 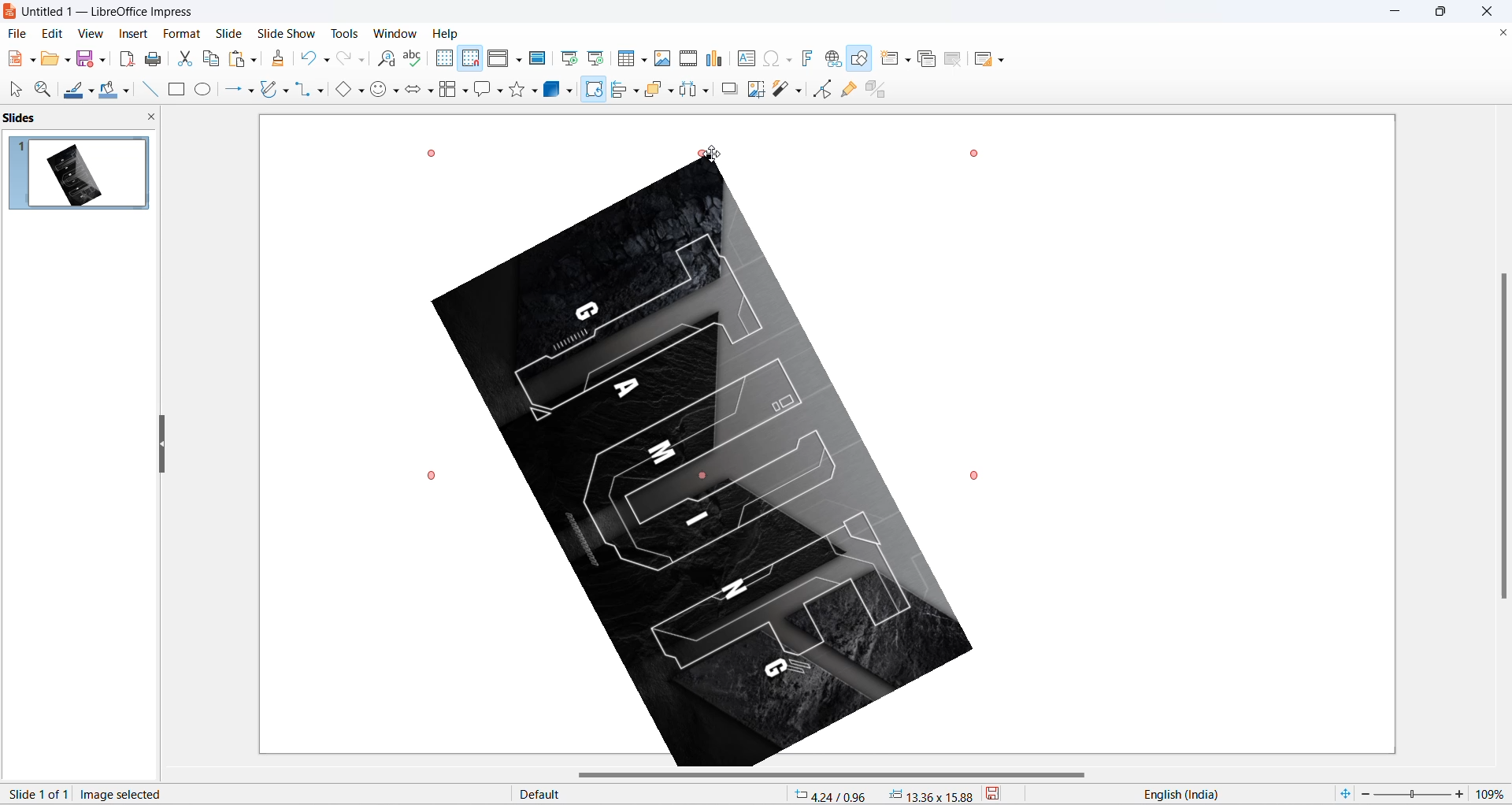 I want to click on image selection markup, so click(x=712, y=155).